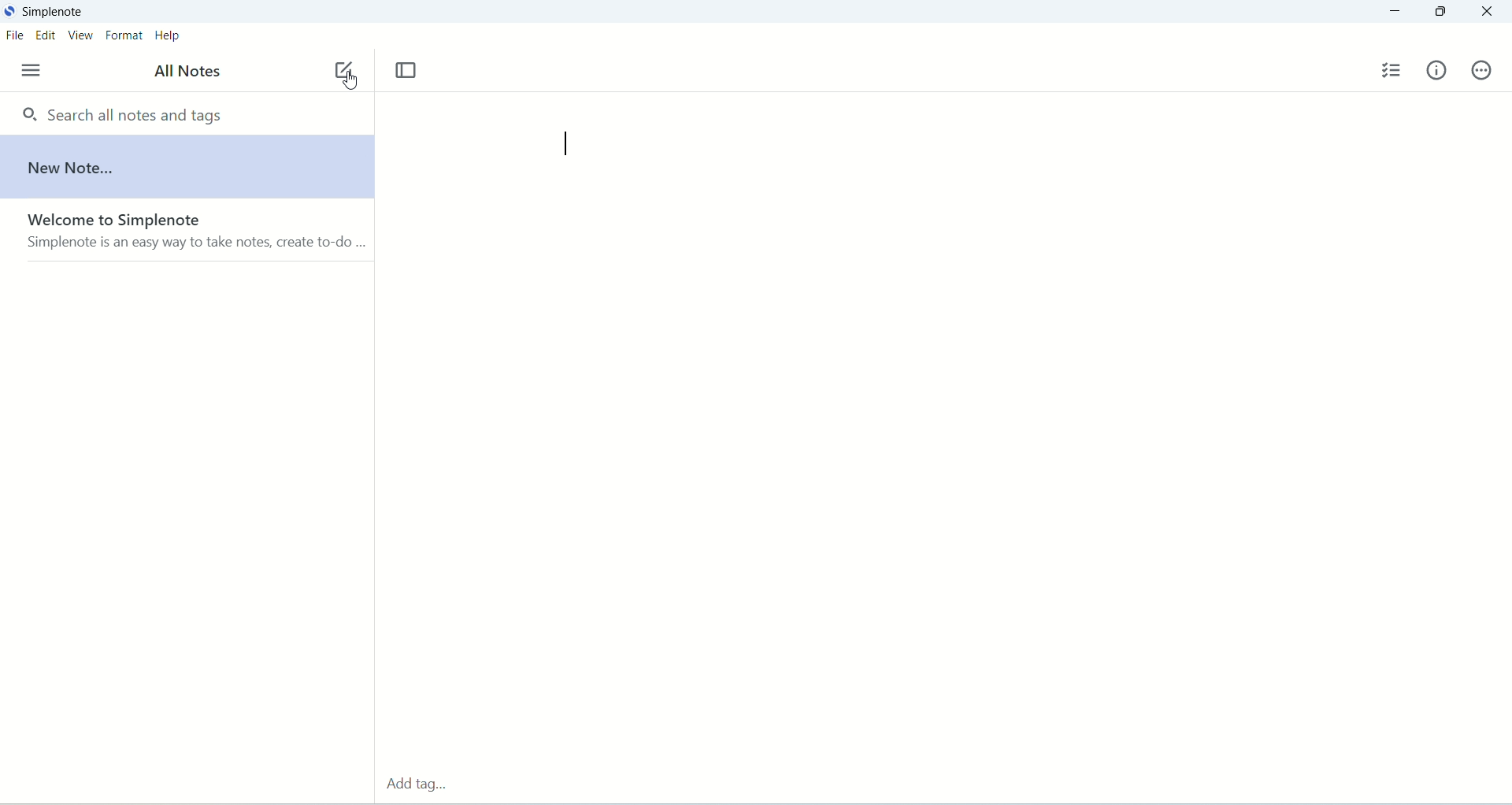  Describe the element at coordinates (407, 72) in the screenshot. I see `toggle focus mode` at that location.